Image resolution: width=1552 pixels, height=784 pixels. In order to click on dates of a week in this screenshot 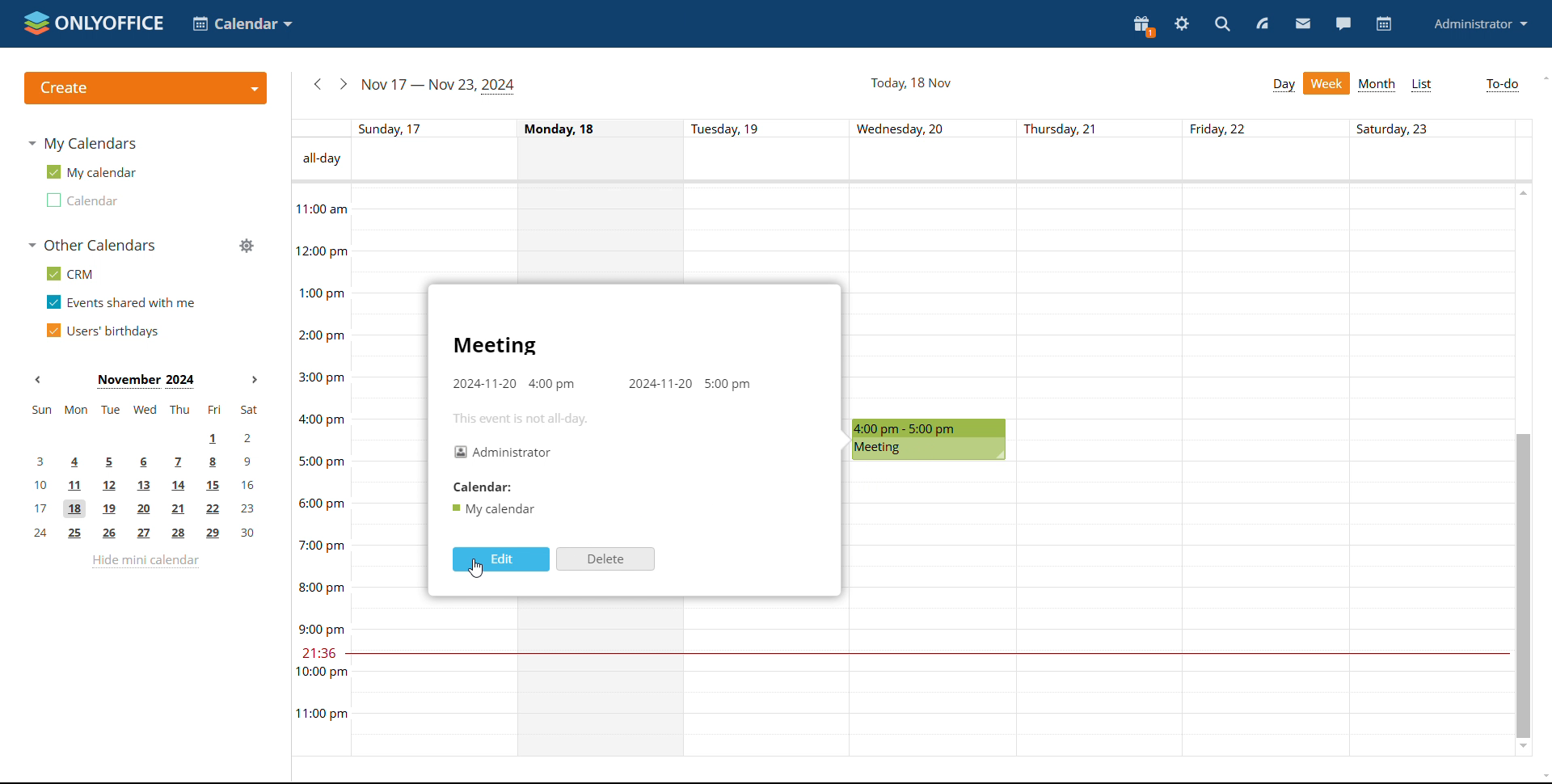, I will do `click(940, 128)`.